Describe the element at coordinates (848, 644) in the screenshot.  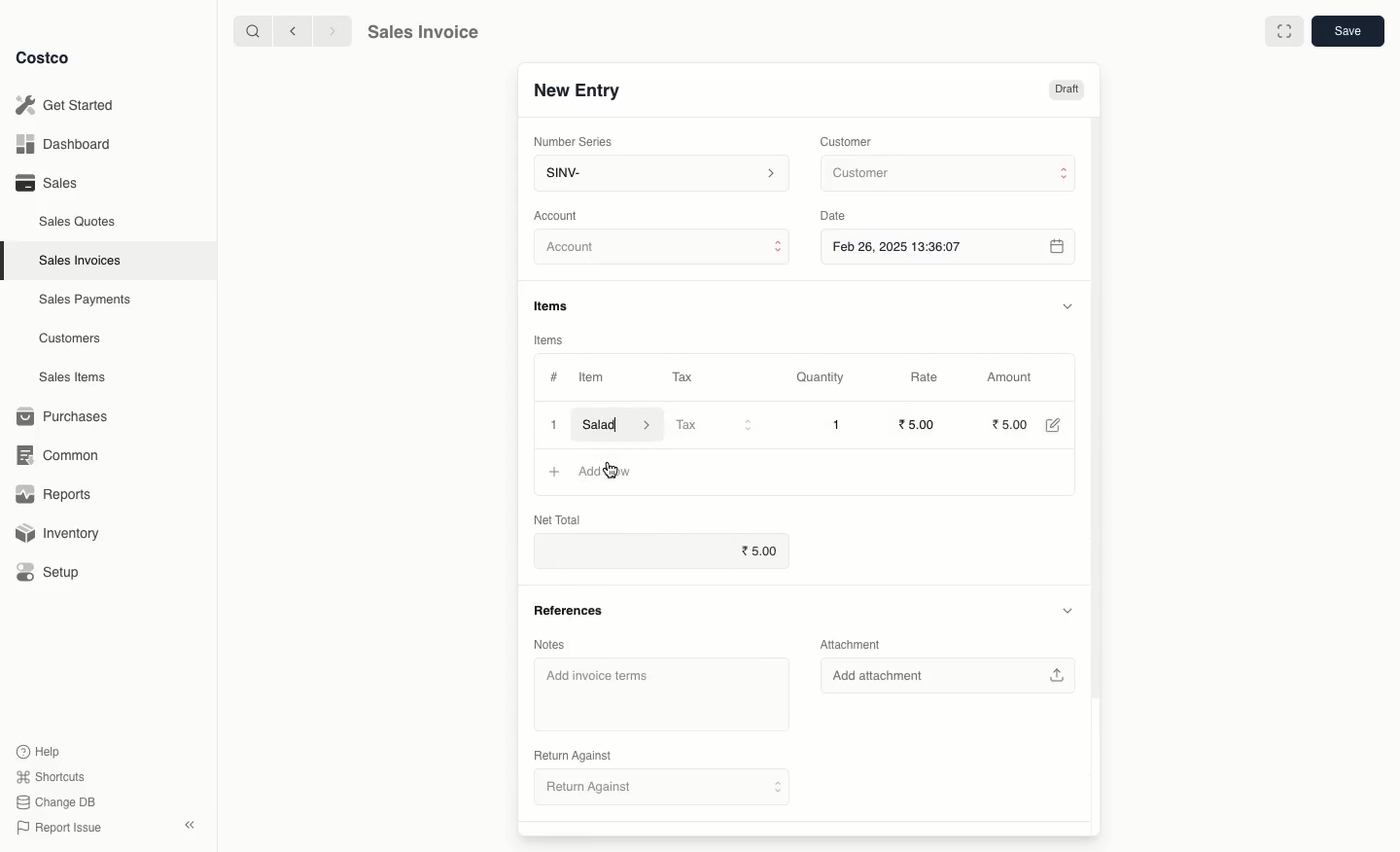
I see `Attachment` at that location.